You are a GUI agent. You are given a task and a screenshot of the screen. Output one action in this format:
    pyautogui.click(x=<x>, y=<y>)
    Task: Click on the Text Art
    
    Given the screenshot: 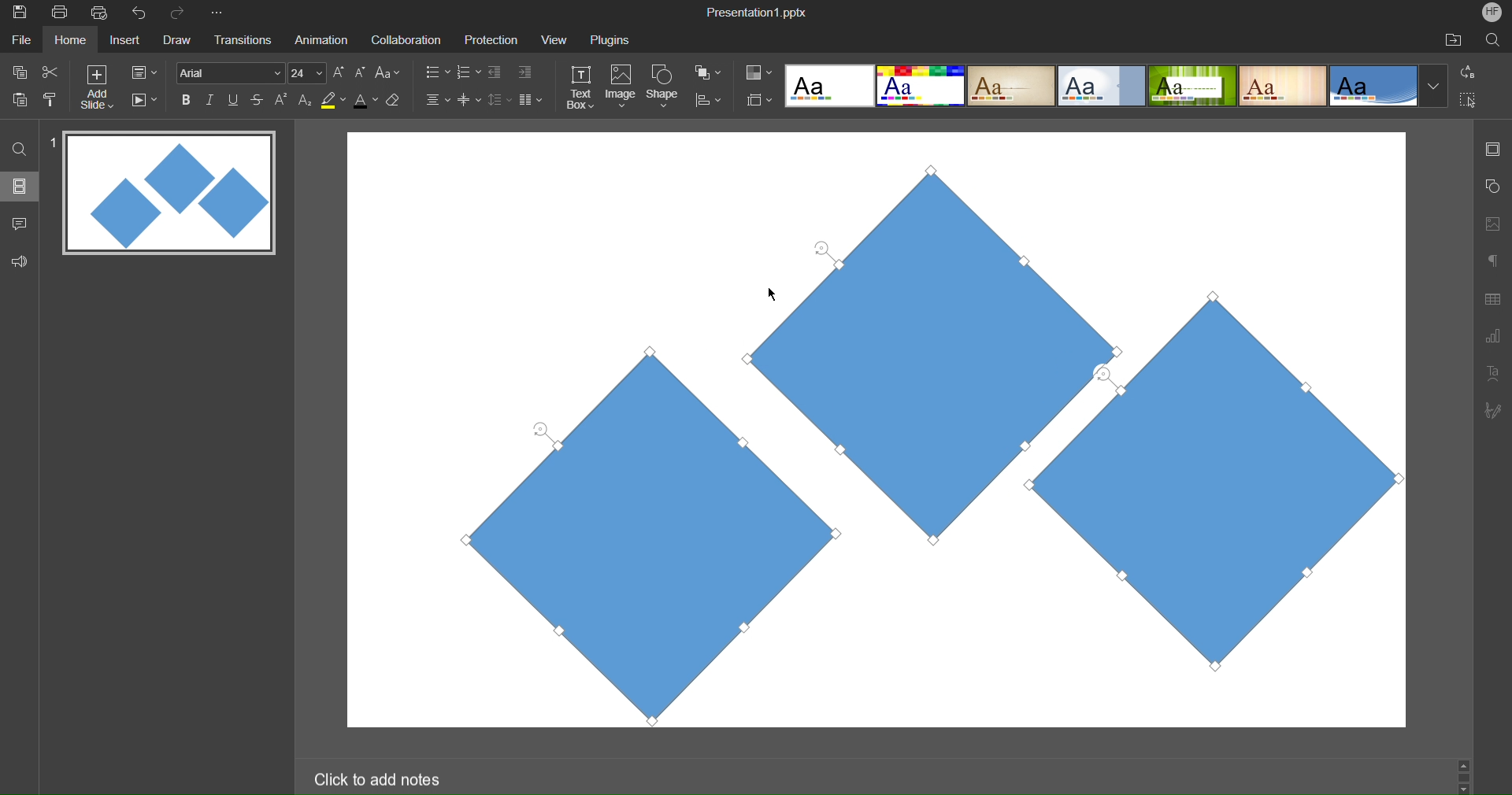 What is the action you would take?
    pyautogui.click(x=1493, y=372)
    